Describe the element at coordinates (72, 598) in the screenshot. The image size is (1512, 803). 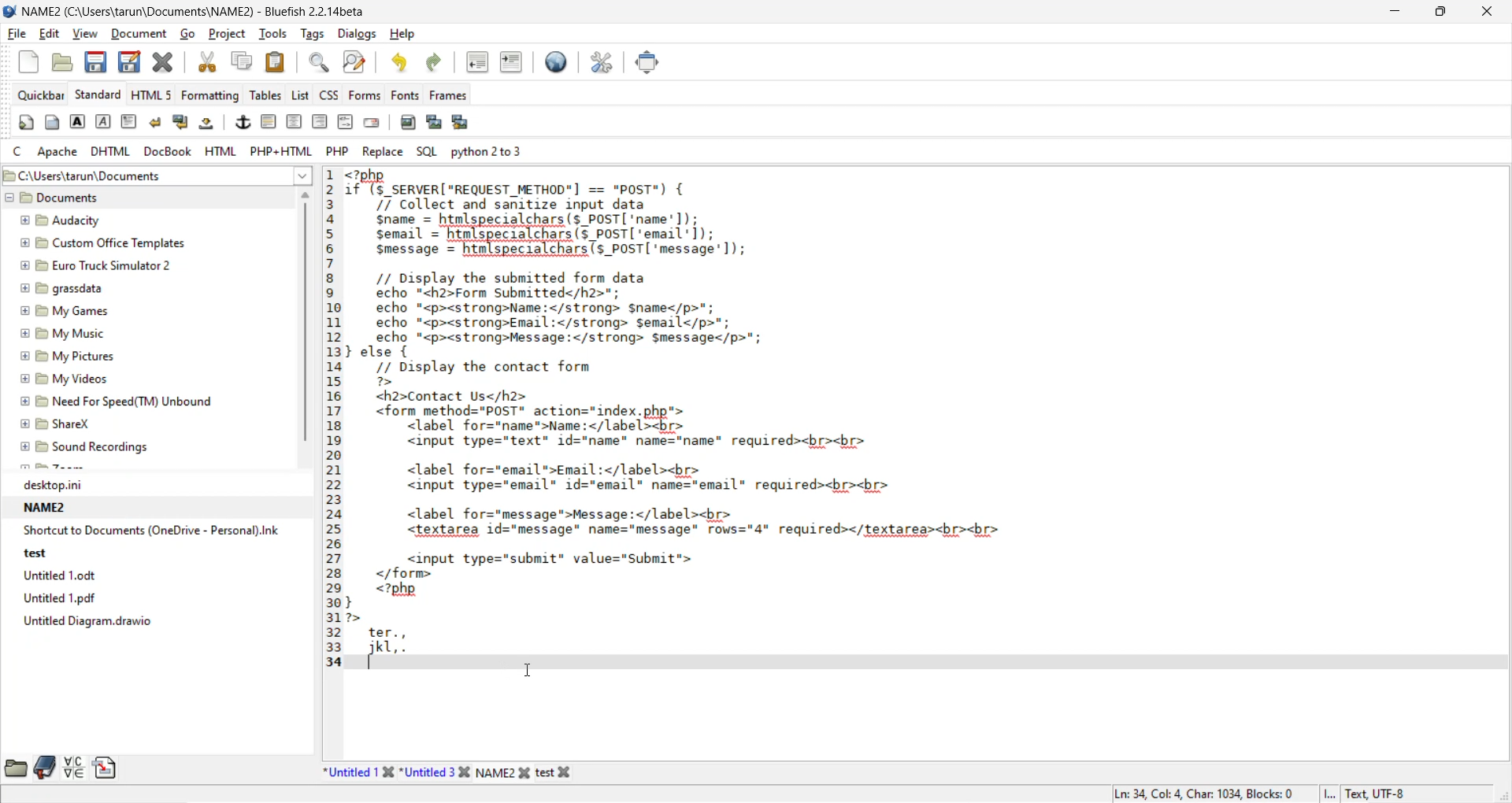
I see `Untitled 1.pdf` at that location.